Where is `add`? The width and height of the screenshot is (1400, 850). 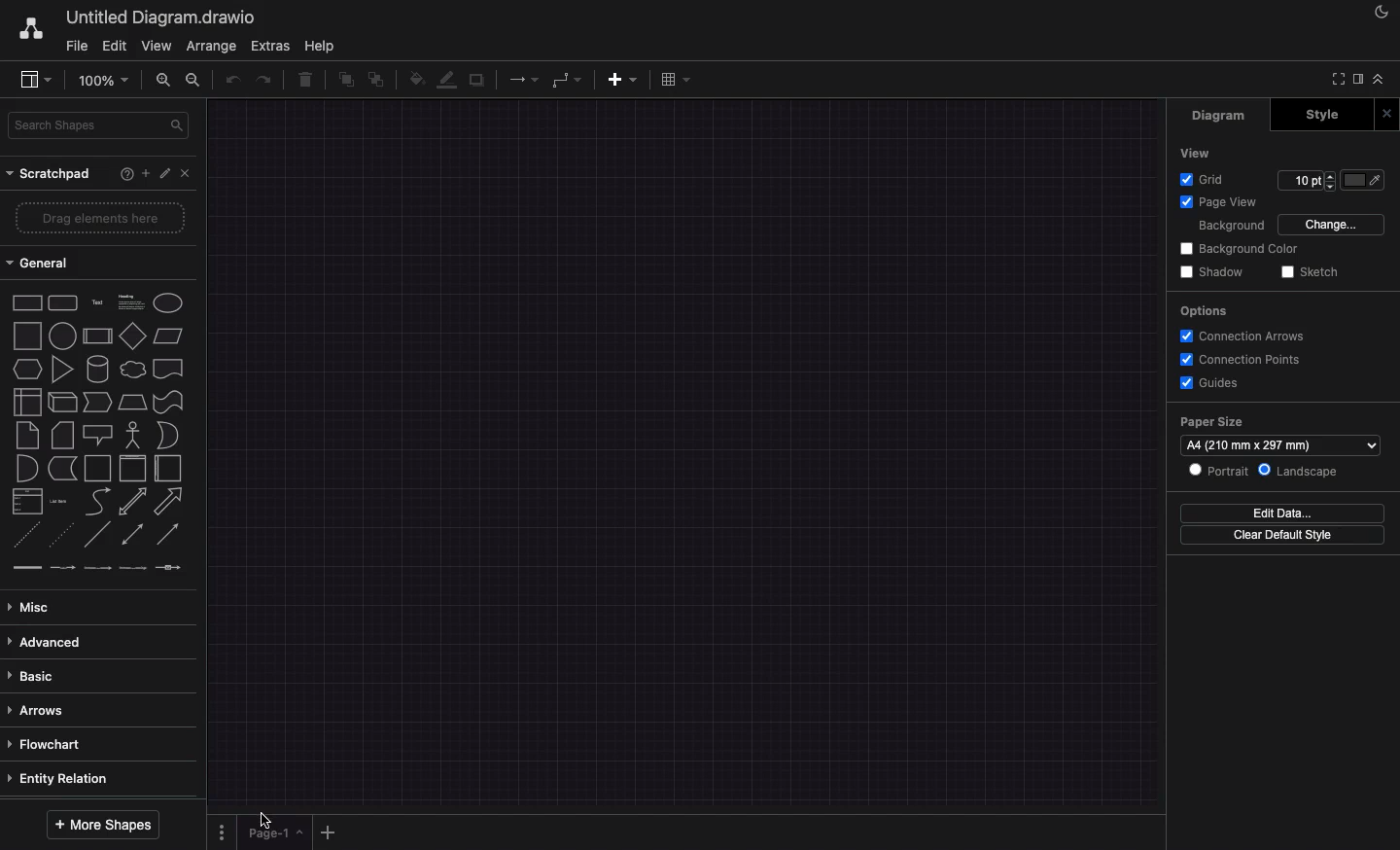
add is located at coordinates (622, 81).